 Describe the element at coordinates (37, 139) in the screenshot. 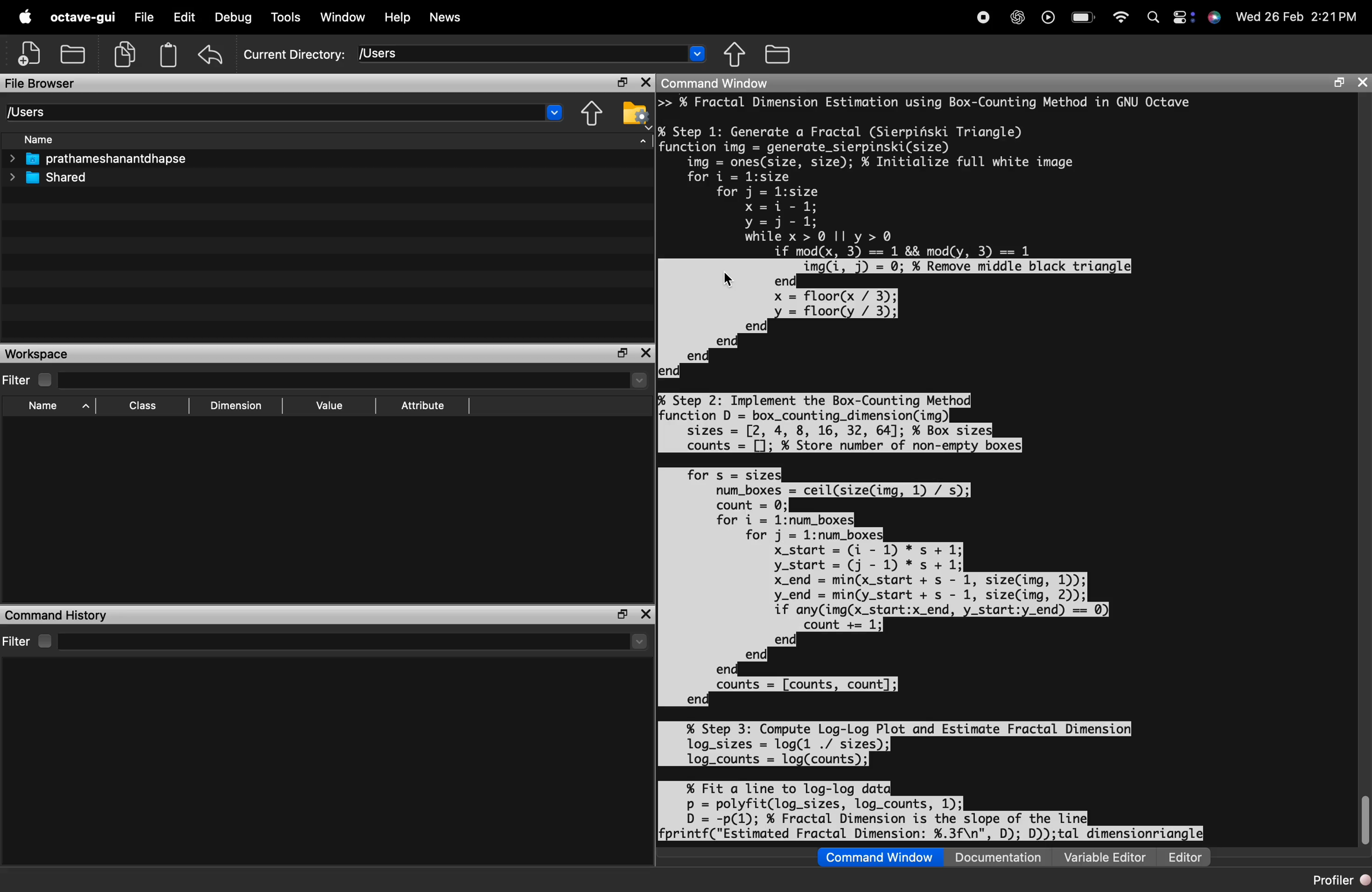

I see `Name` at that location.